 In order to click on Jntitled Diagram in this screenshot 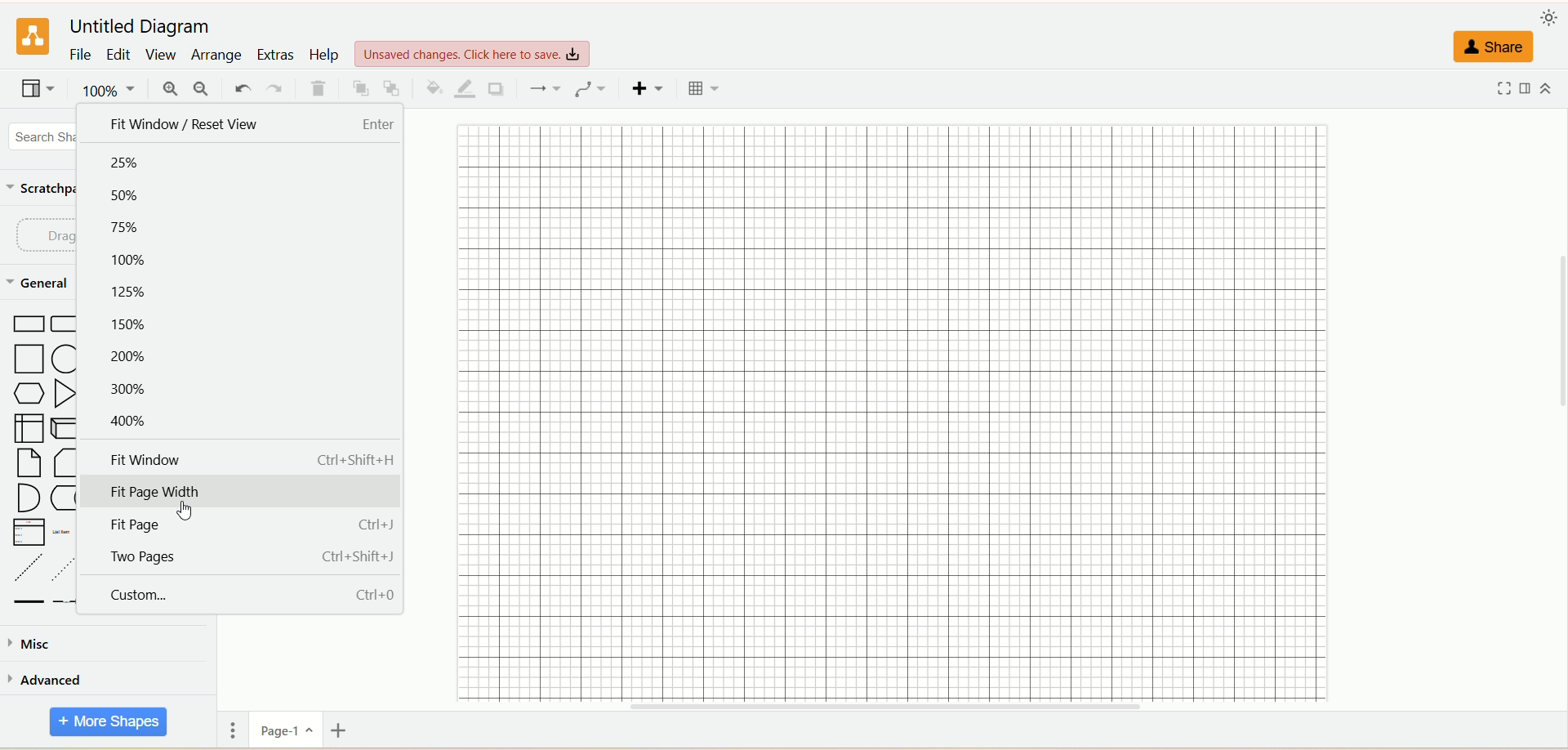, I will do `click(145, 21)`.